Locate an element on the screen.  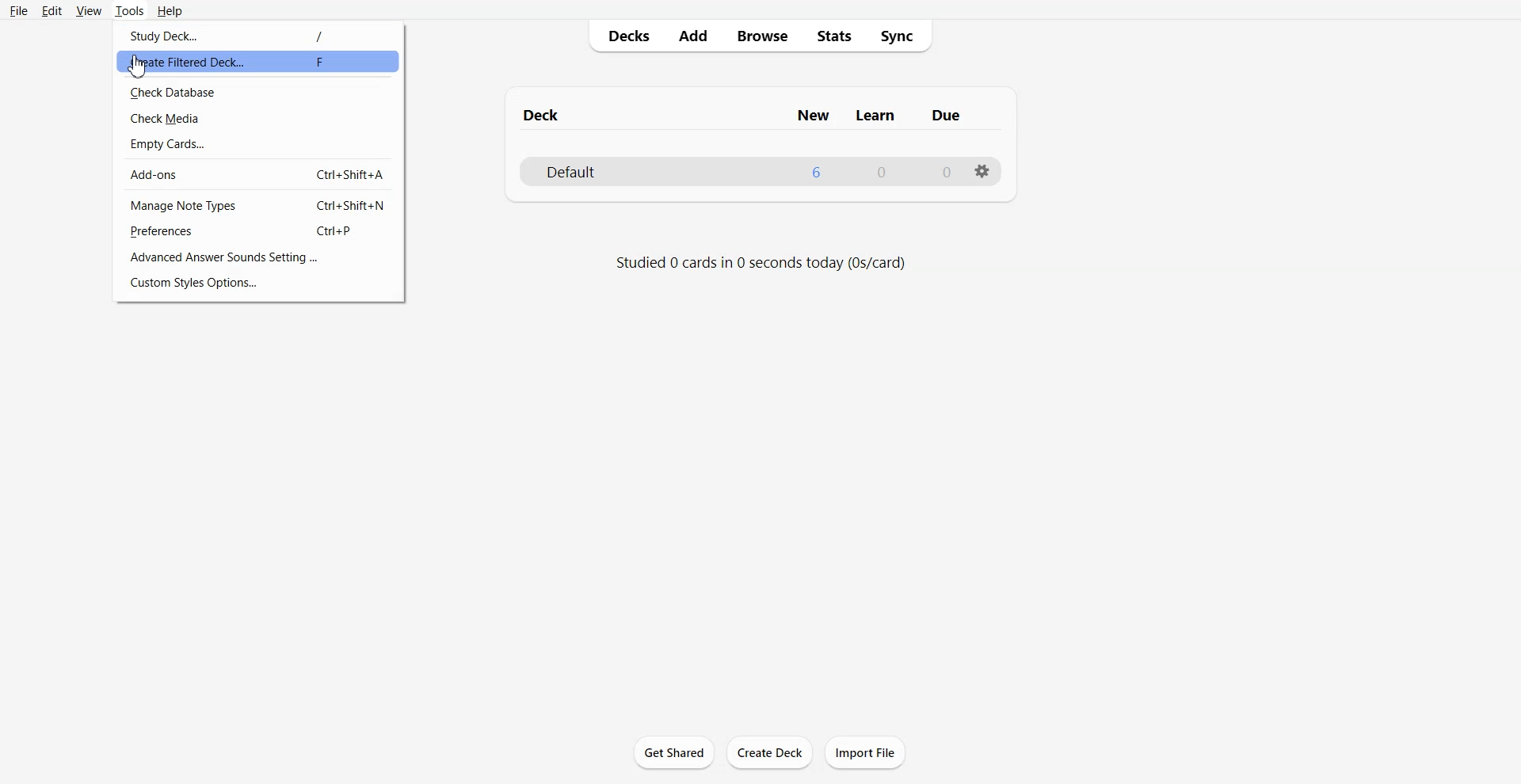
Decks is located at coordinates (623, 36).